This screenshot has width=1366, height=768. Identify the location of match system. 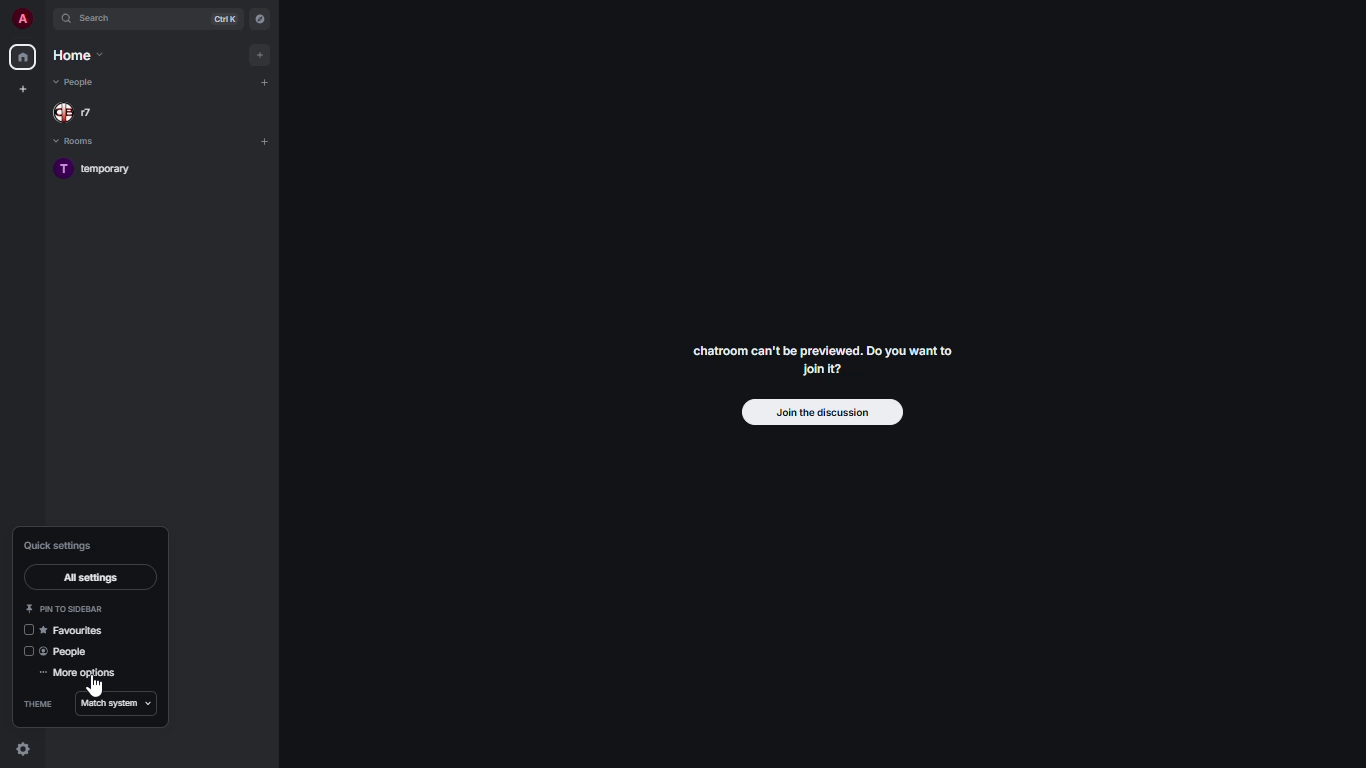
(118, 704).